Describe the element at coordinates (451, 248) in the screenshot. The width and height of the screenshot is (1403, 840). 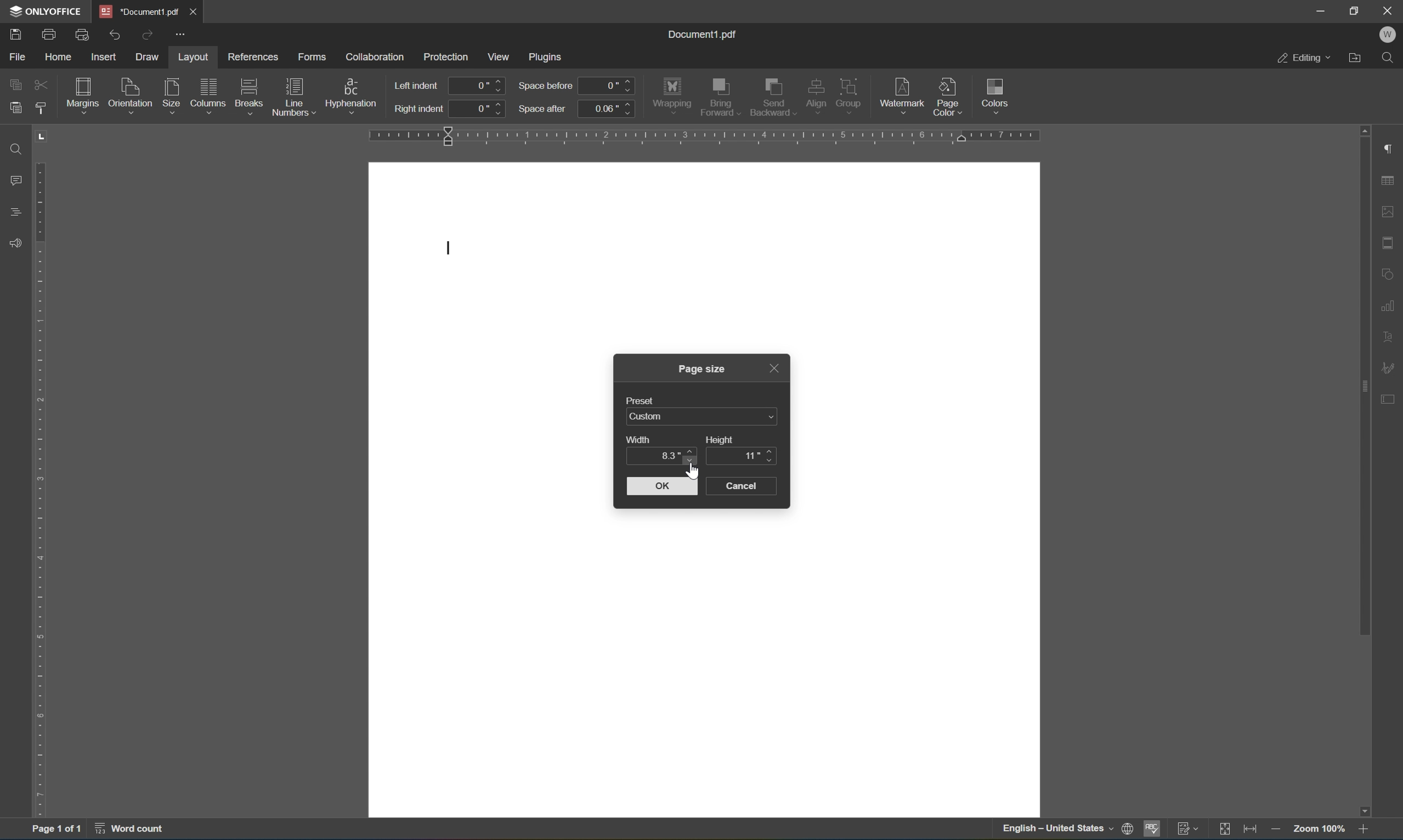
I see `typing cursor` at that location.